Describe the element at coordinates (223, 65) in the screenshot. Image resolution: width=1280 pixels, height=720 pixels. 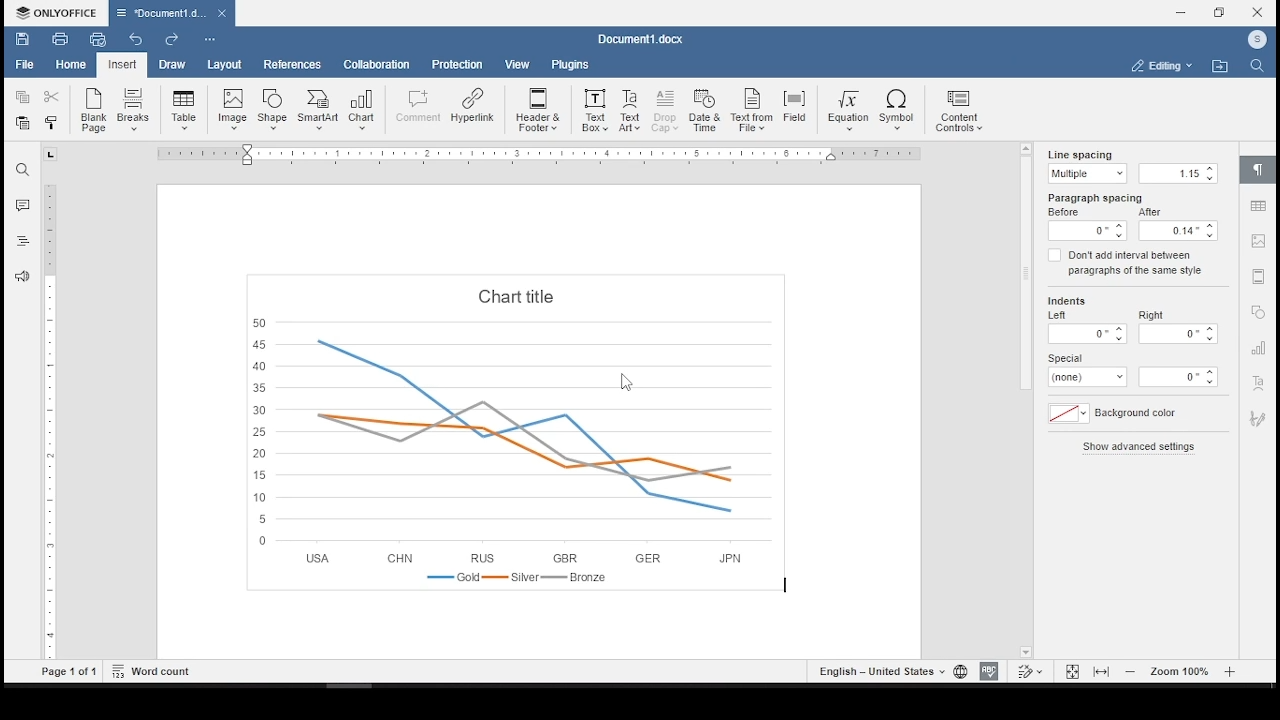
I see `layout` at that location.